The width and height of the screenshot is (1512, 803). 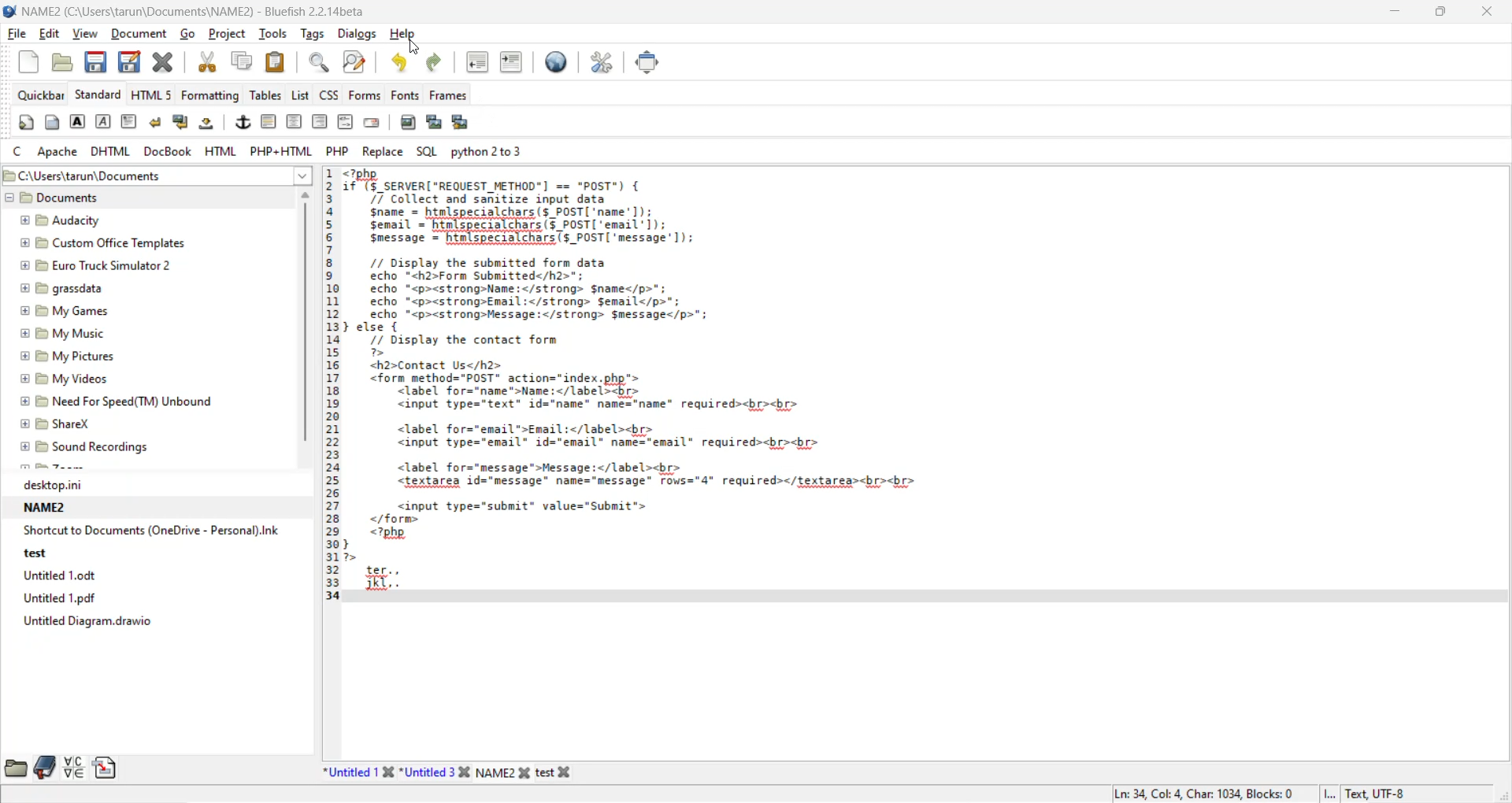 I want to click on formatting, so click(x=213, y=96).